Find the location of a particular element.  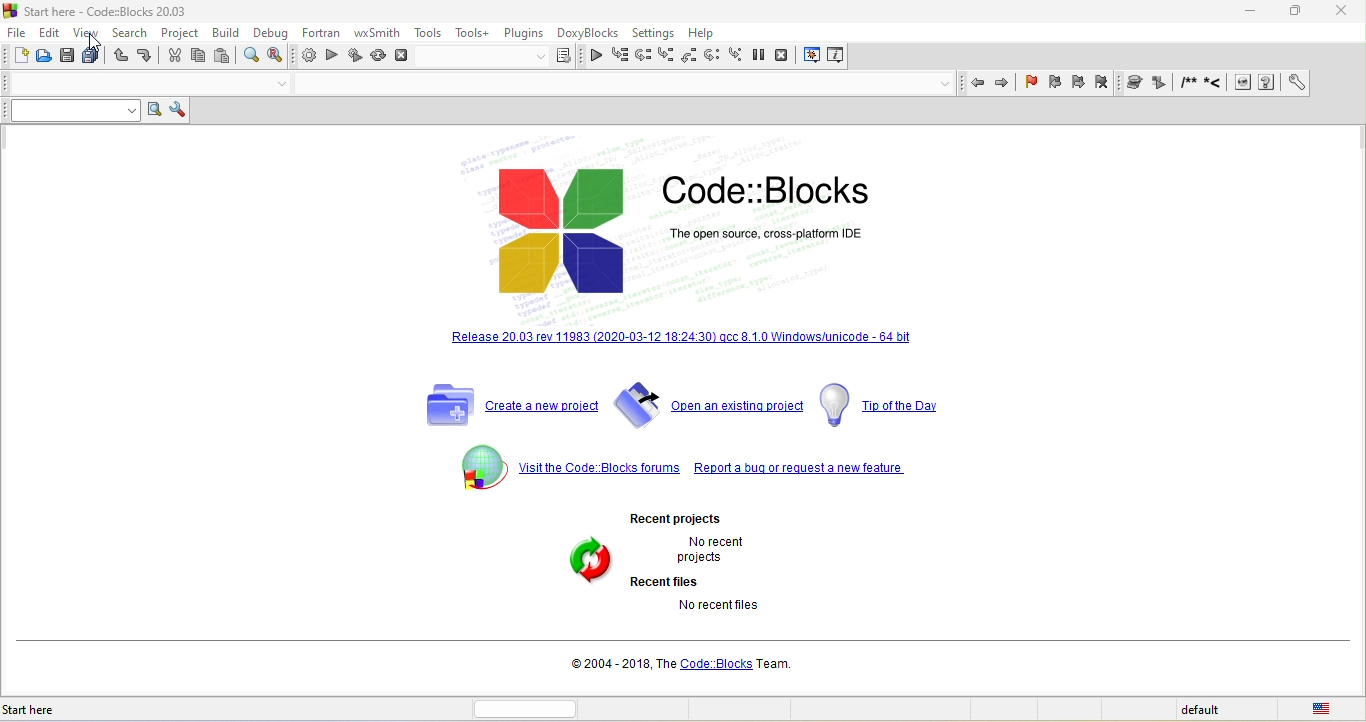

help is located at coordinates (707, 31).